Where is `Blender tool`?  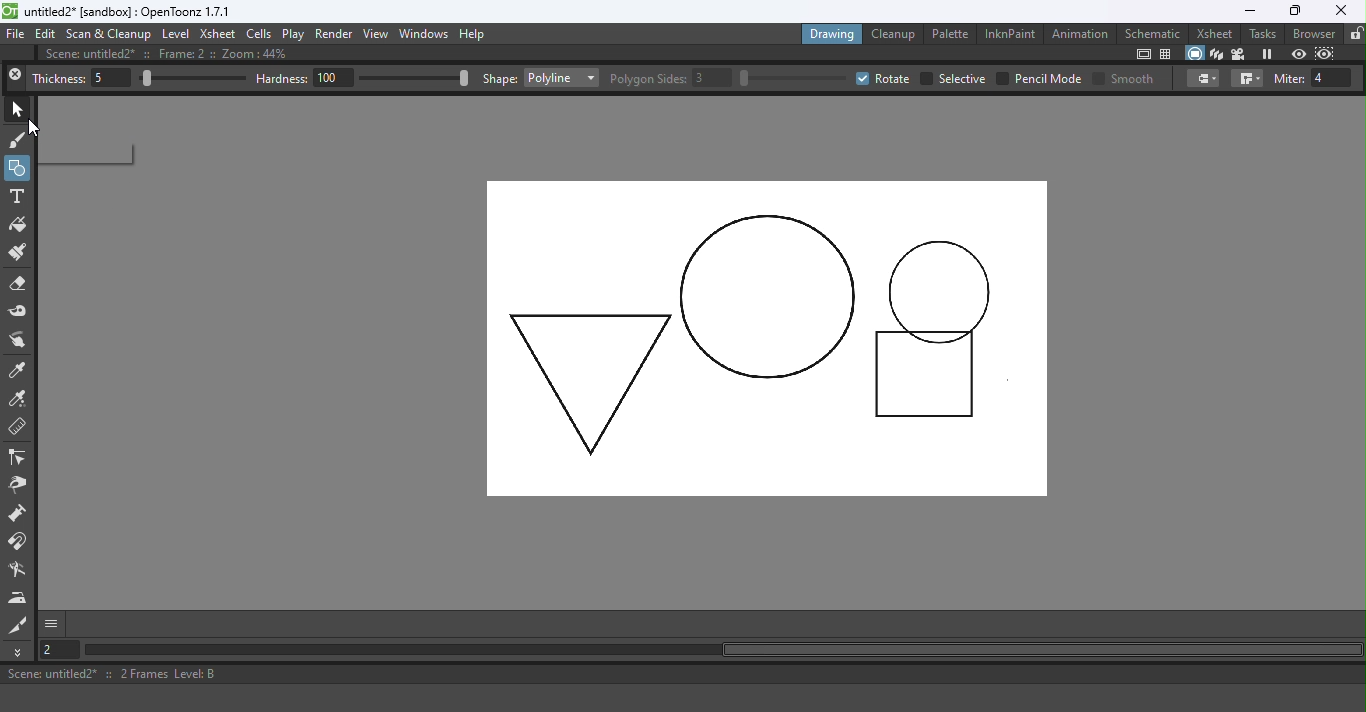
Blender tool is located at coordinates (20, 570).